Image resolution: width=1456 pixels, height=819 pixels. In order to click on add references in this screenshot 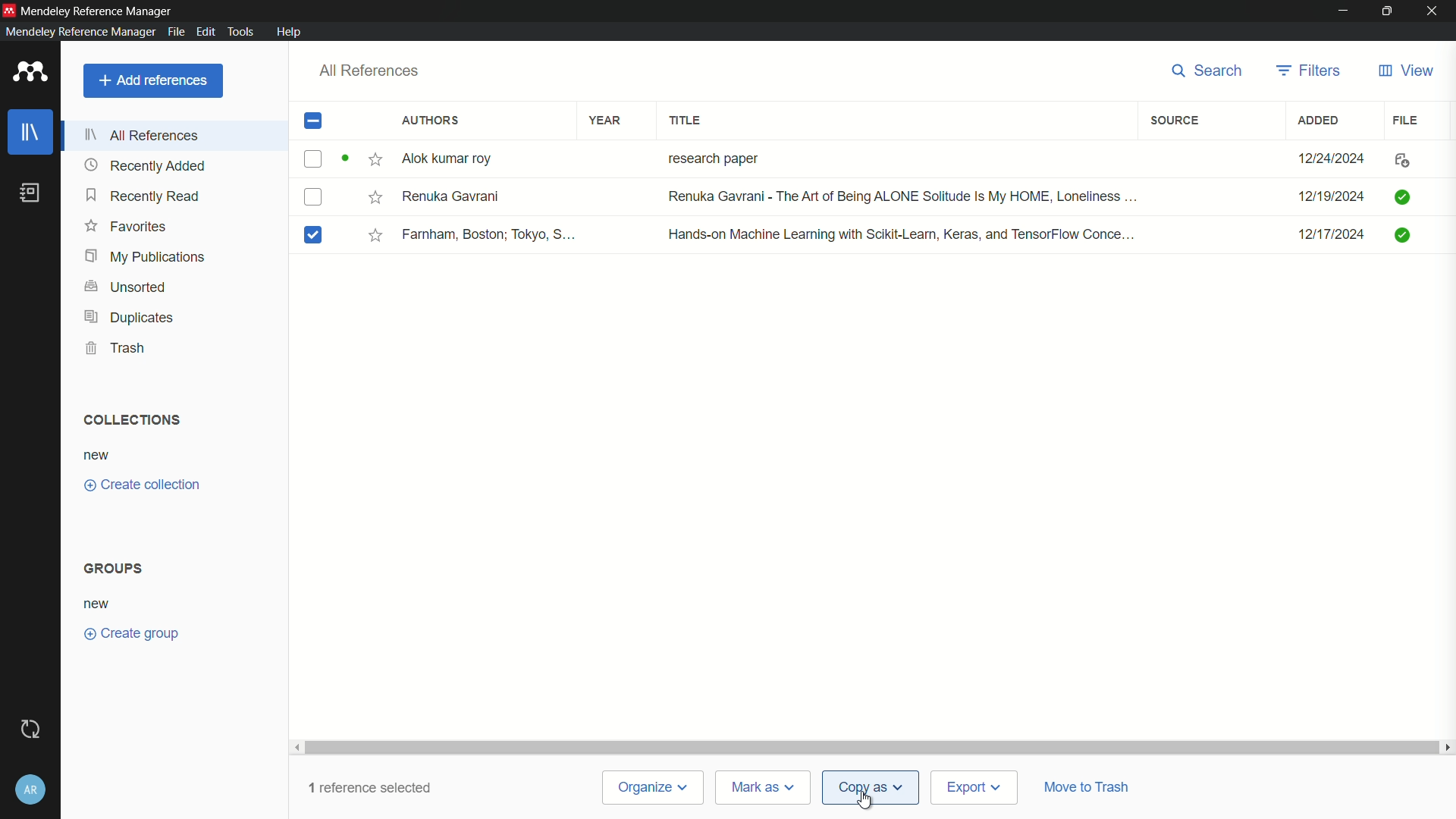, I will do `click(152, 80)`.